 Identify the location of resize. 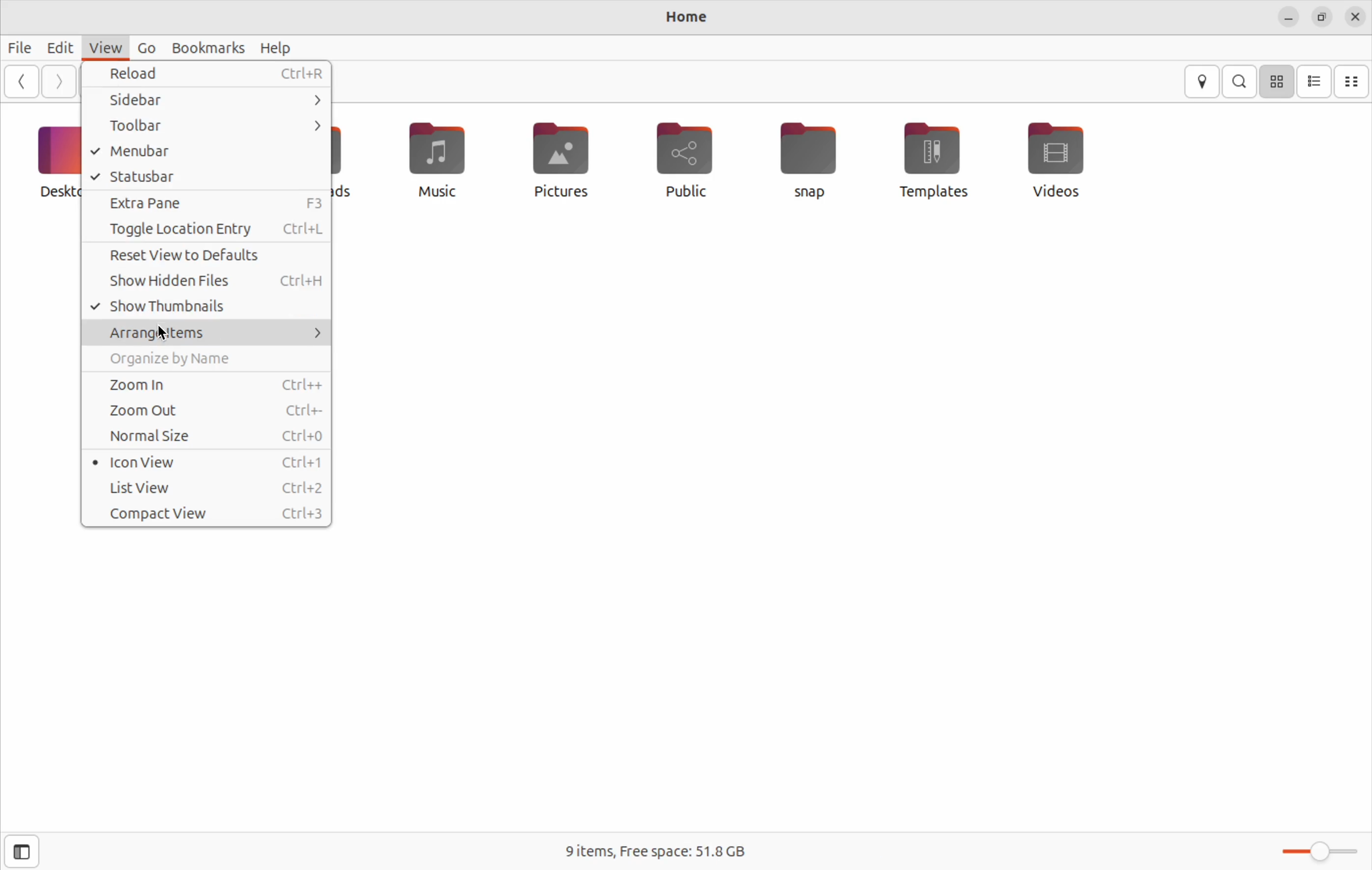
(1320, 18).